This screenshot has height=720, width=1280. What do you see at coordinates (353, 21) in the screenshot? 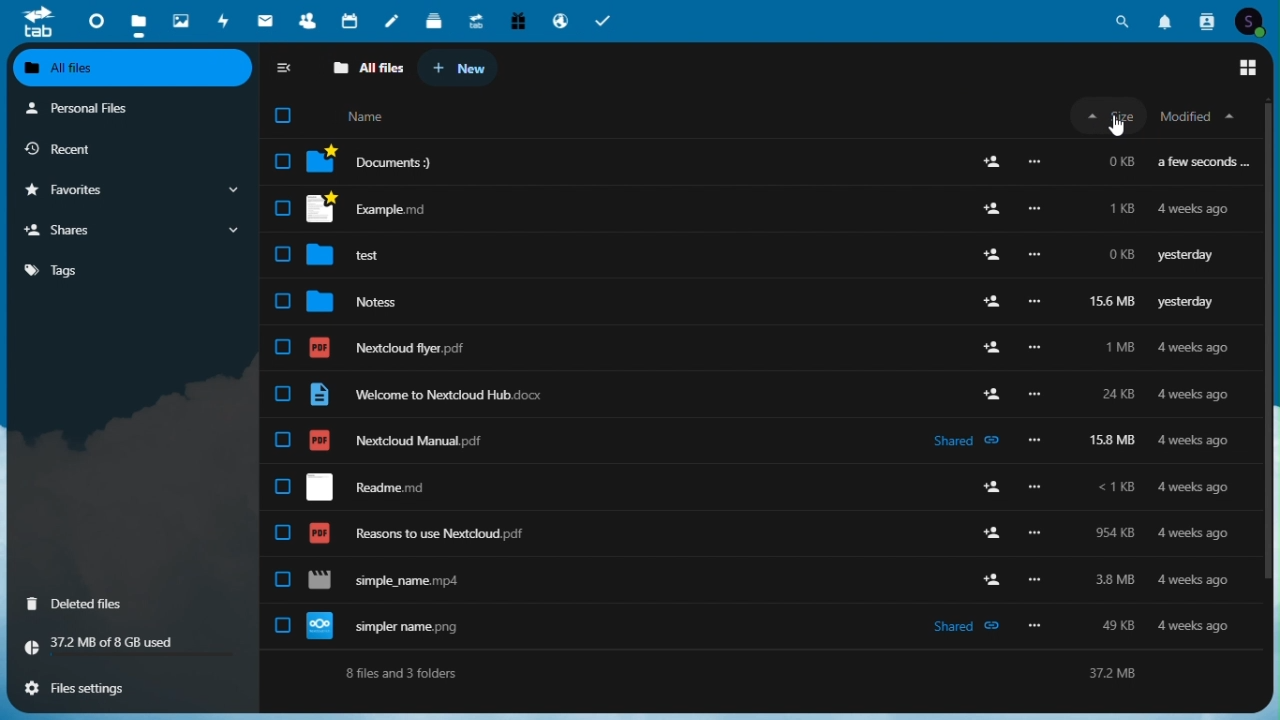
I see `Calendar` at bounding box center [353, 21].